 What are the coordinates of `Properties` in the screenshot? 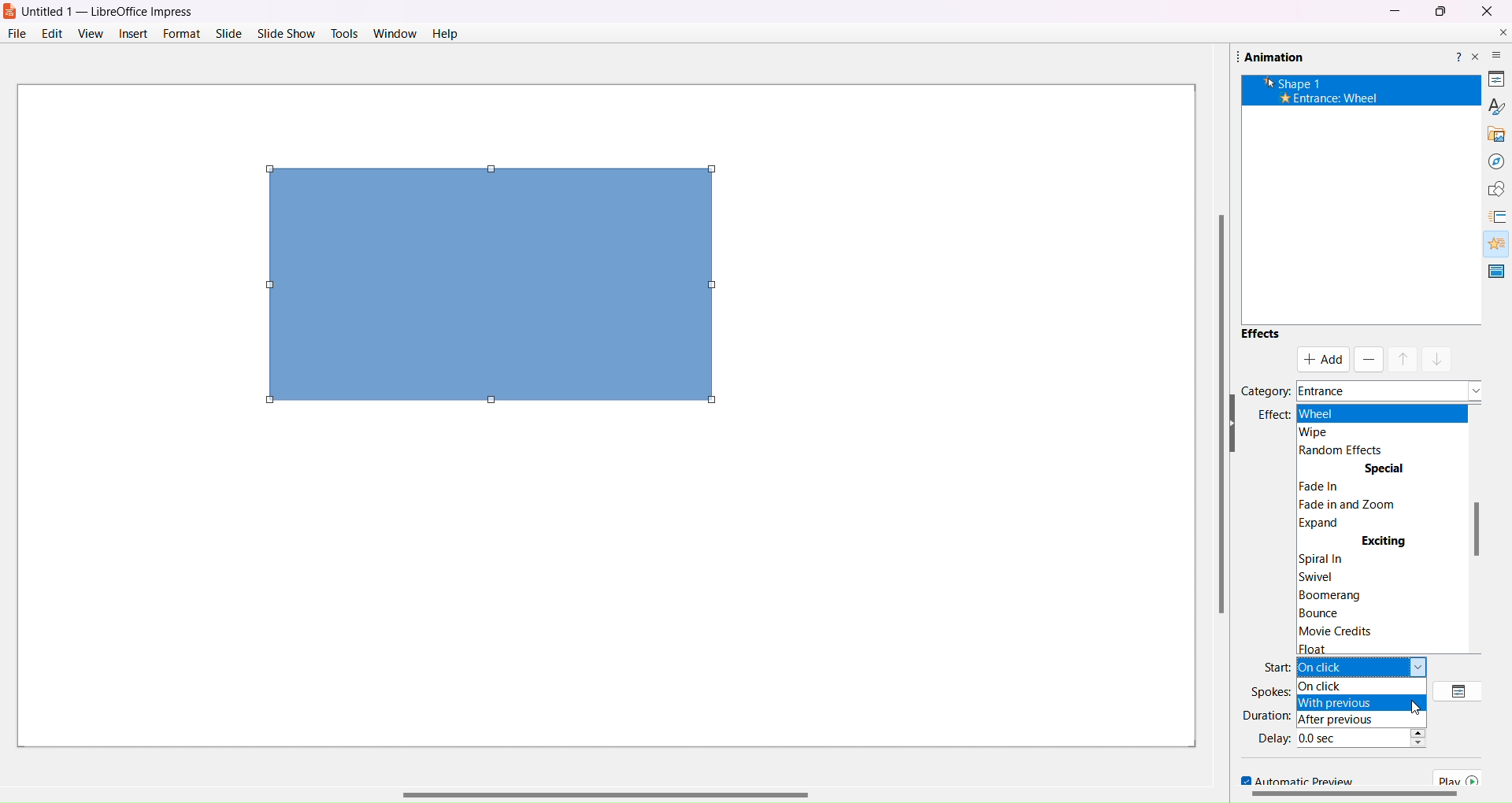 It's located at (1489, 76).